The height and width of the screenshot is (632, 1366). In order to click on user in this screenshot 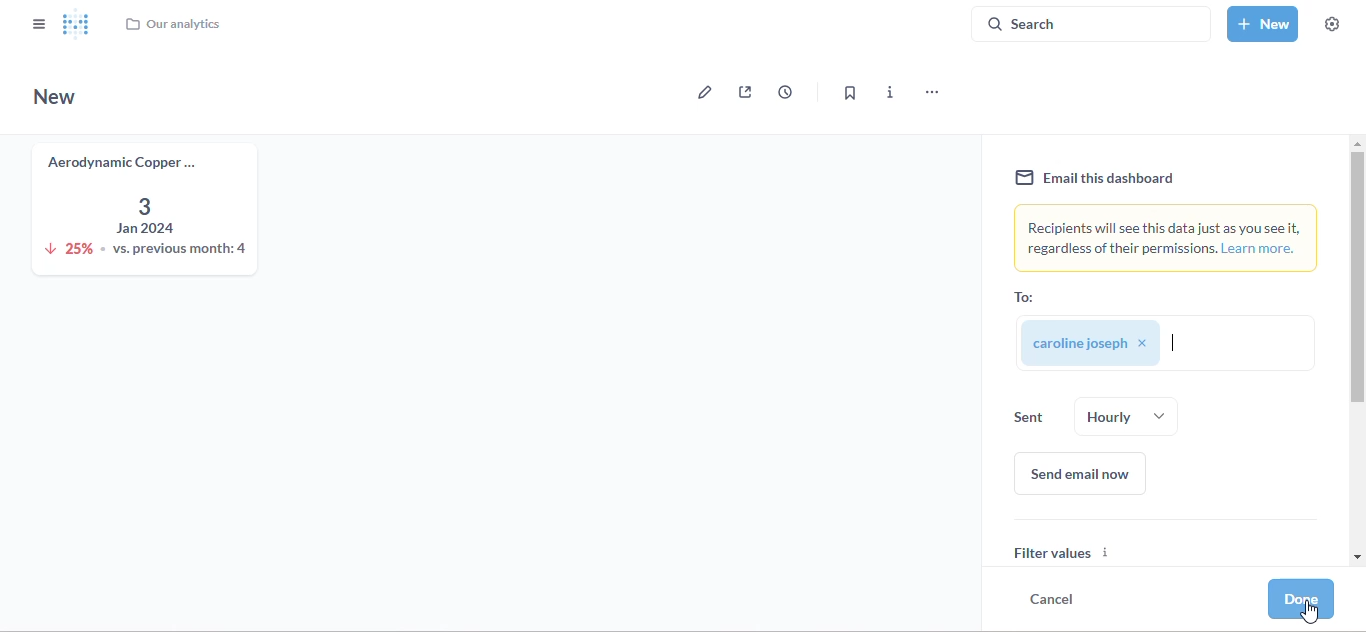, I will do `click(1108, 344)`.